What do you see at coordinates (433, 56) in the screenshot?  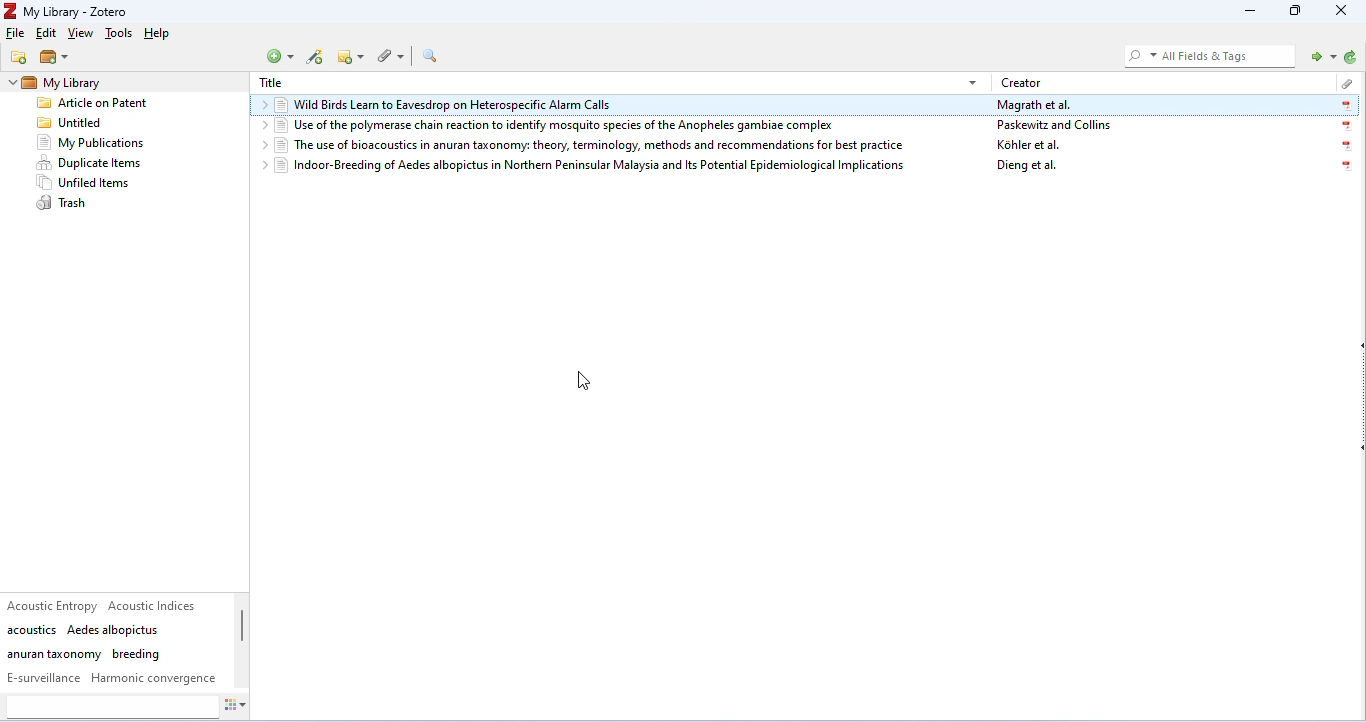 I see `advanced search` at bounding box center [433, 56].